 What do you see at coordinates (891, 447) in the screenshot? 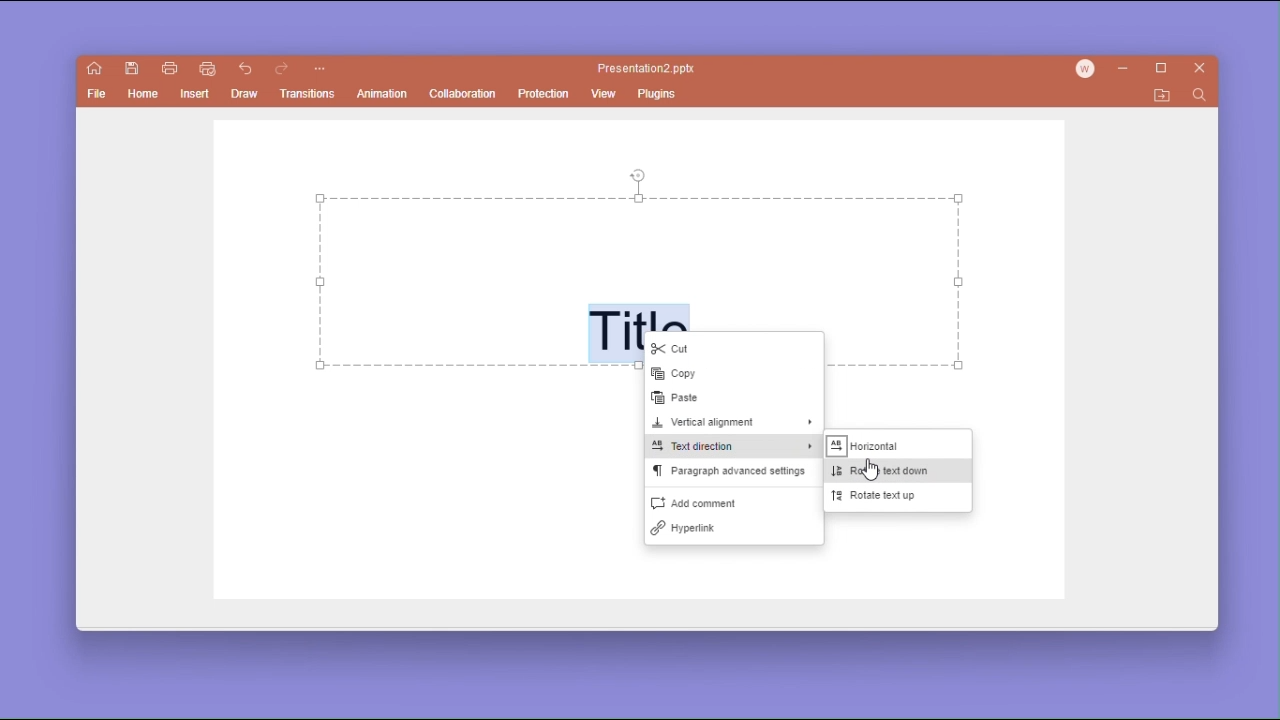
I see `horizontal` at bounding box center [891, 447].